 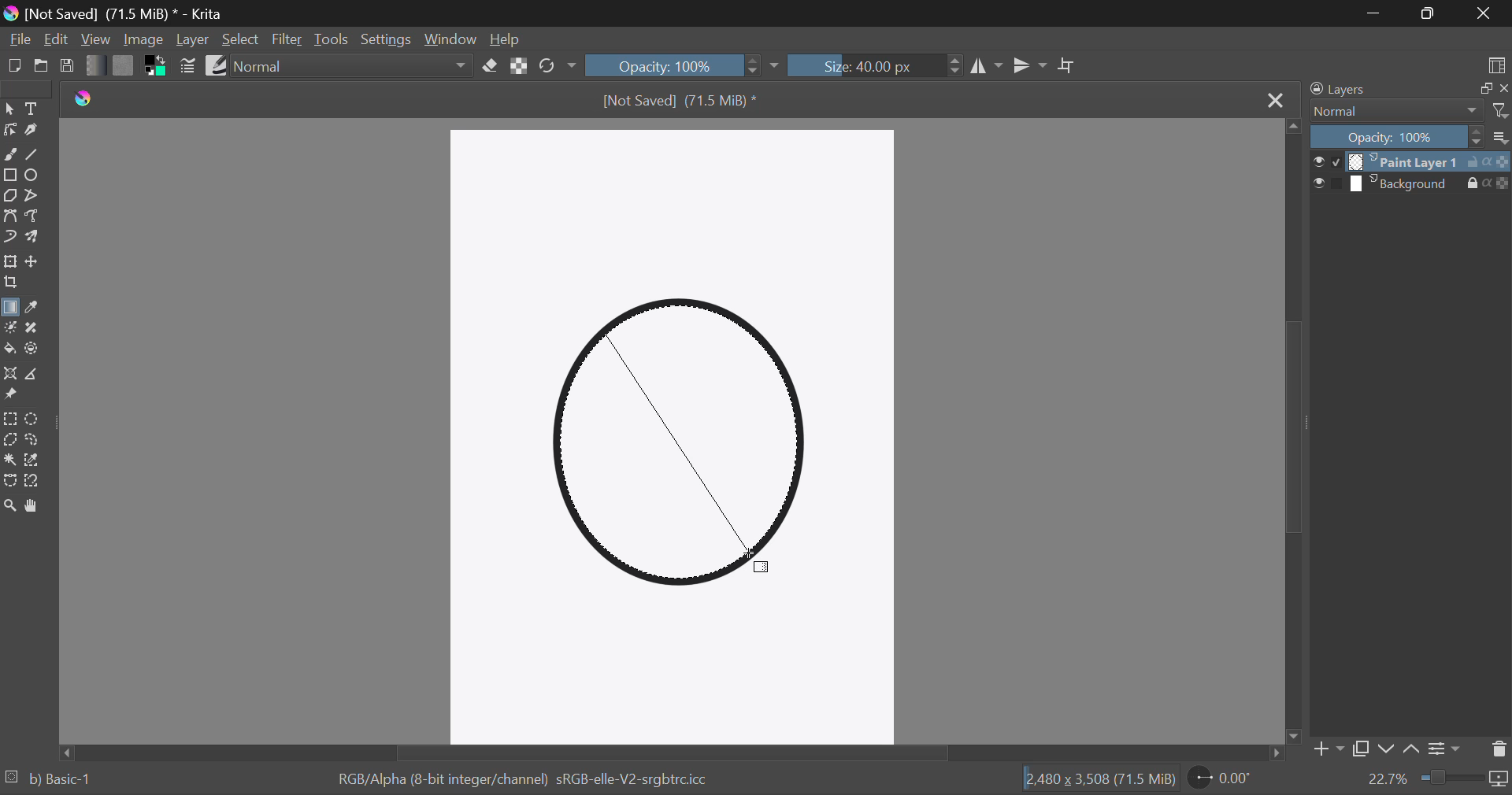 I want to click on close, so click(x=1504, y=87).